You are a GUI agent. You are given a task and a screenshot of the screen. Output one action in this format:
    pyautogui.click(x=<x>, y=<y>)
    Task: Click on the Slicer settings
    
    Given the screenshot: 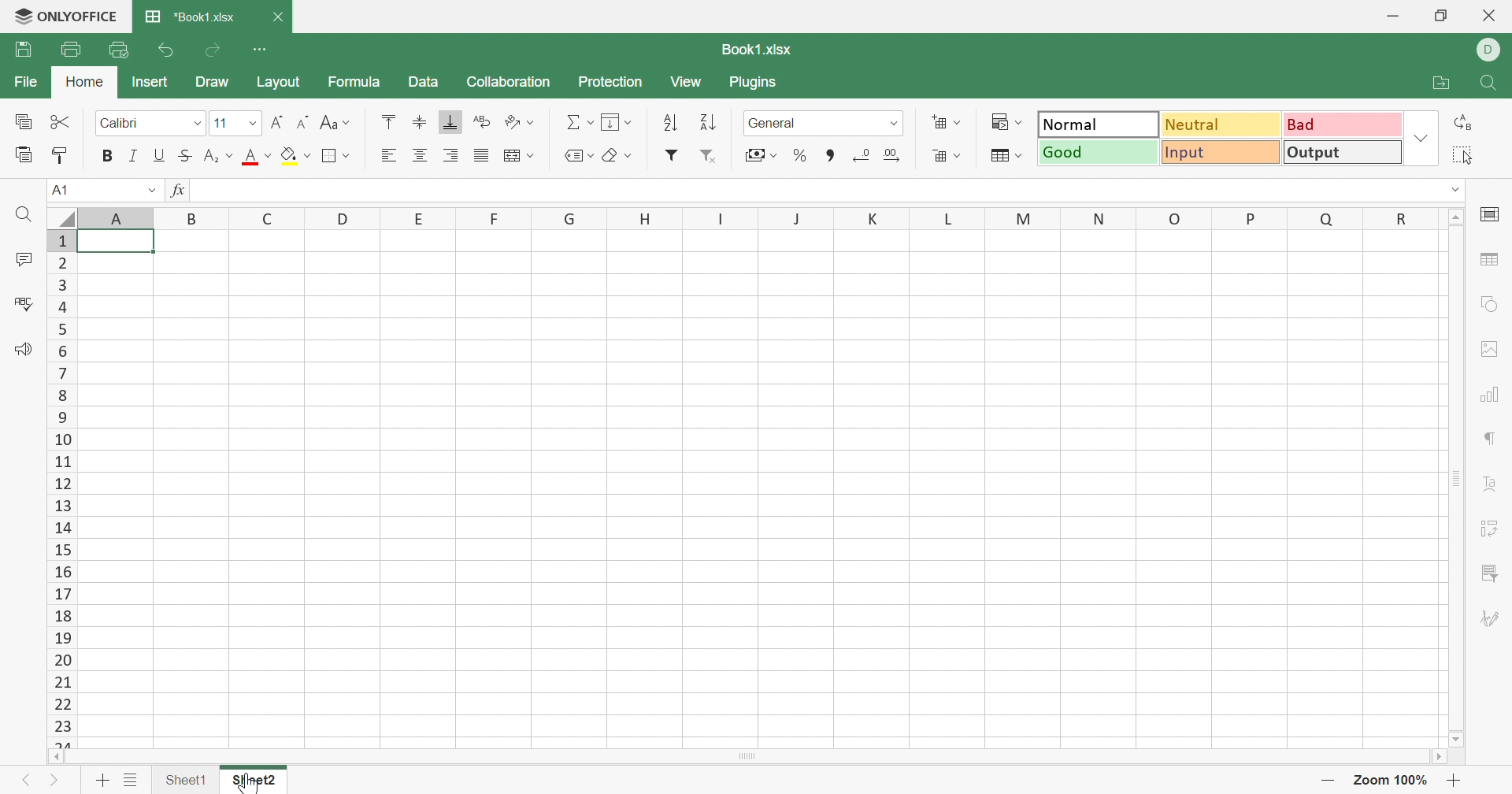 What is the action you would take?
    pyautogui.click(x=1488, y=573)
    